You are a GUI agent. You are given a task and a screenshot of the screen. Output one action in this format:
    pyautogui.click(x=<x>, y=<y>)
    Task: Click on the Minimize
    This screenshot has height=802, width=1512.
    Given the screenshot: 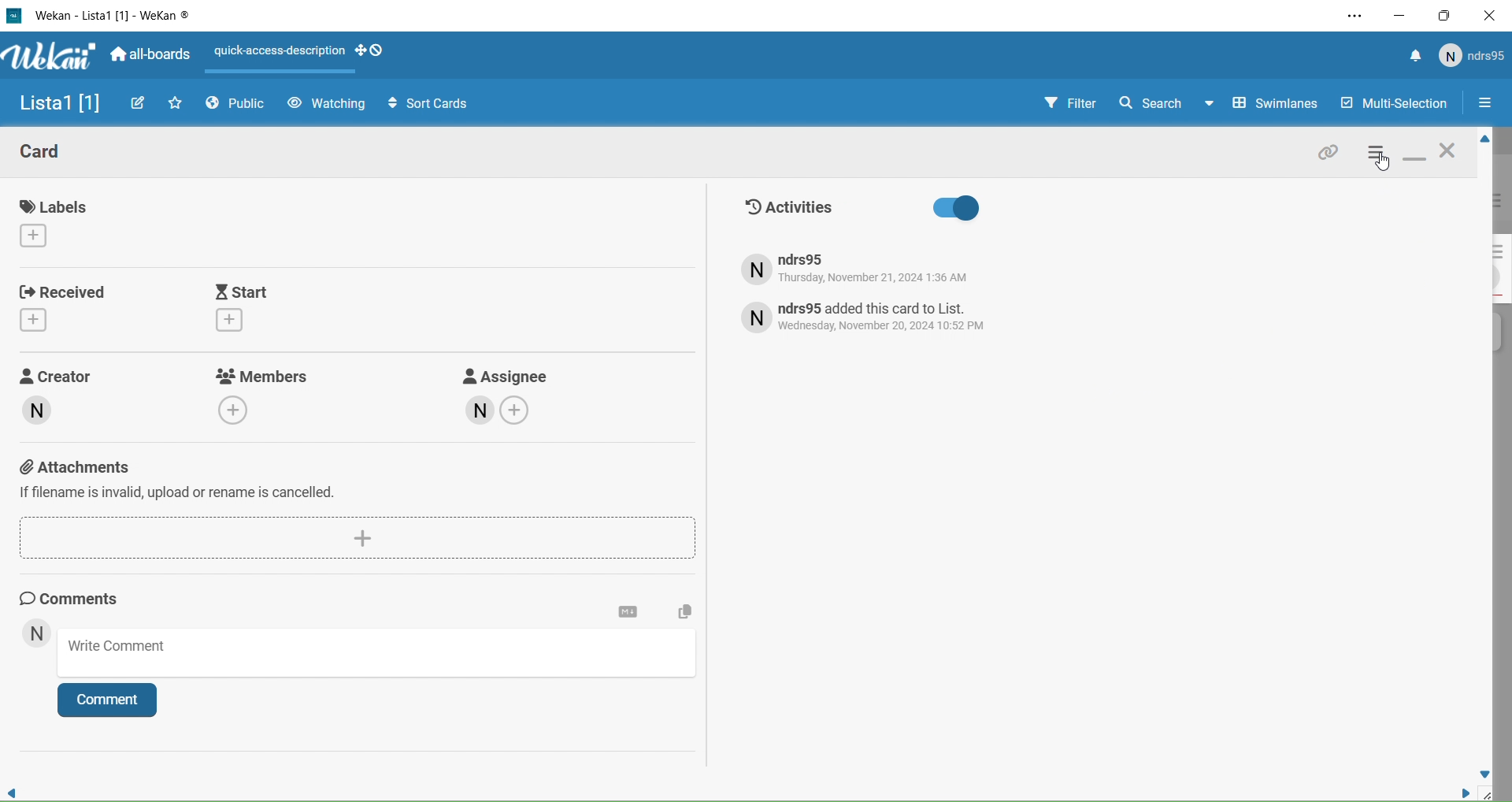 What is the action you would take?
    pyautogui.click(x=1411, y=159)
    